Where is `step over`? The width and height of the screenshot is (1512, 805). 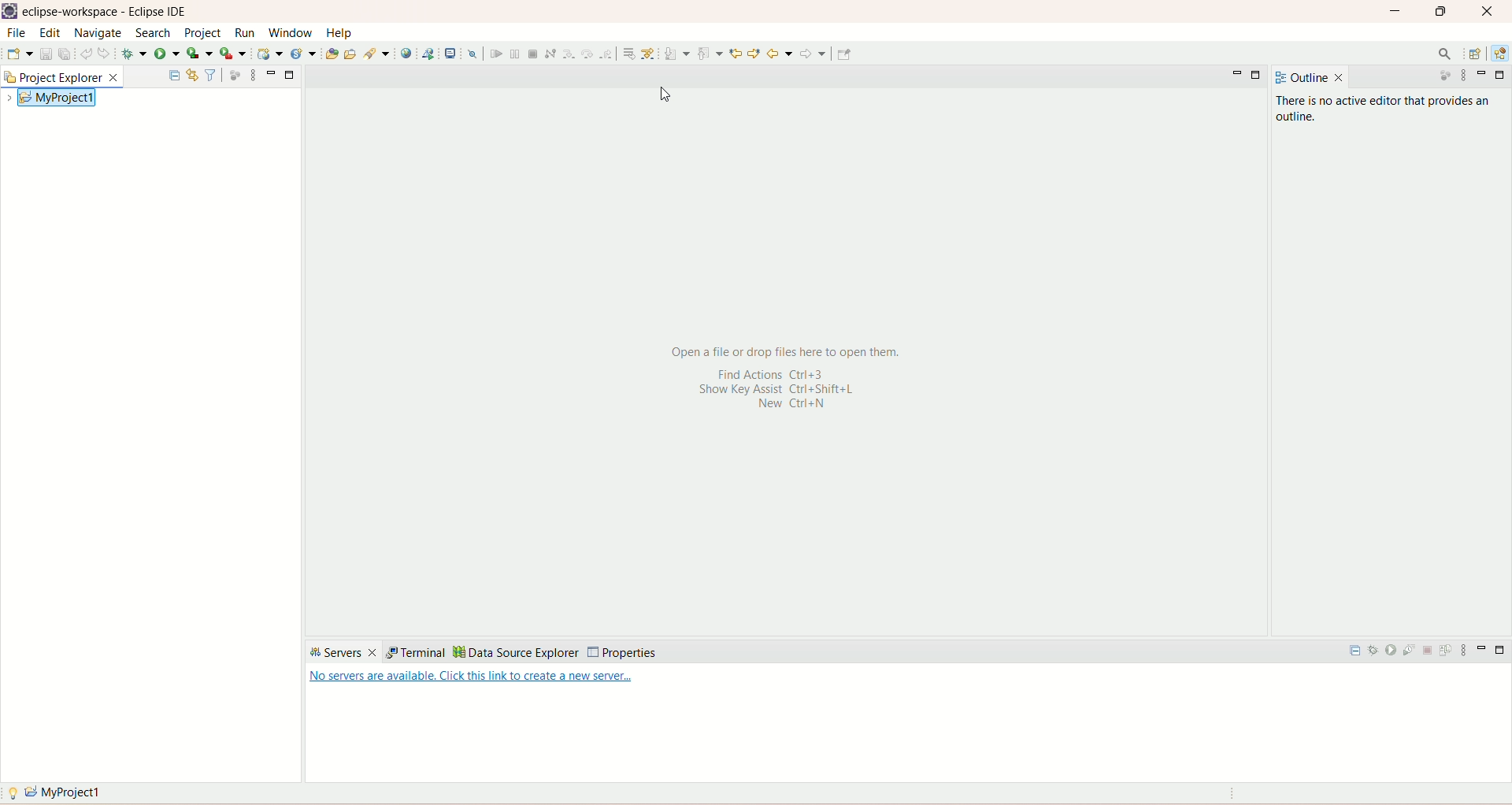 step over is located at coordinates (587, 54).